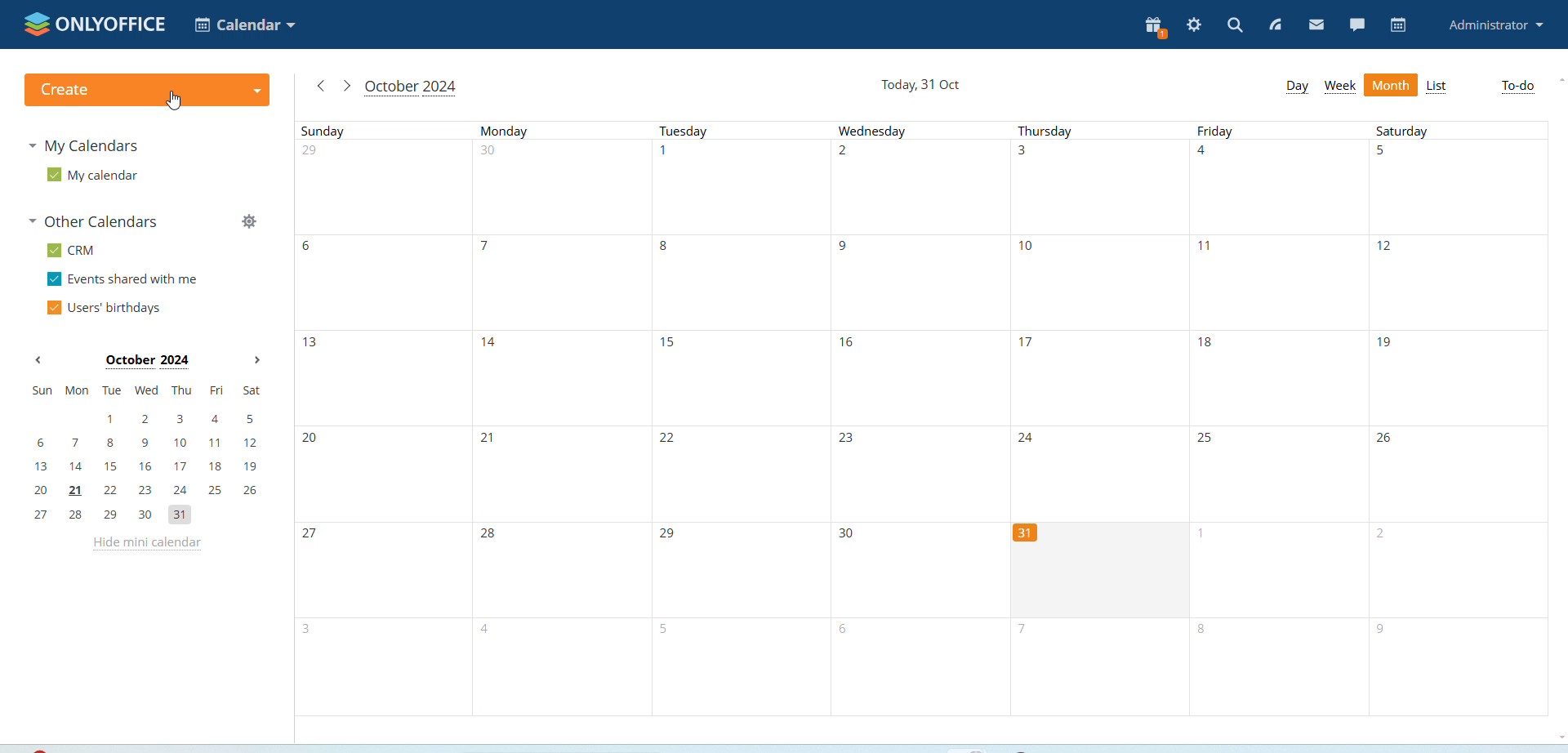 This screenshot has height=753, width=1568. I want to click on scroll down, so click(1565, 737).